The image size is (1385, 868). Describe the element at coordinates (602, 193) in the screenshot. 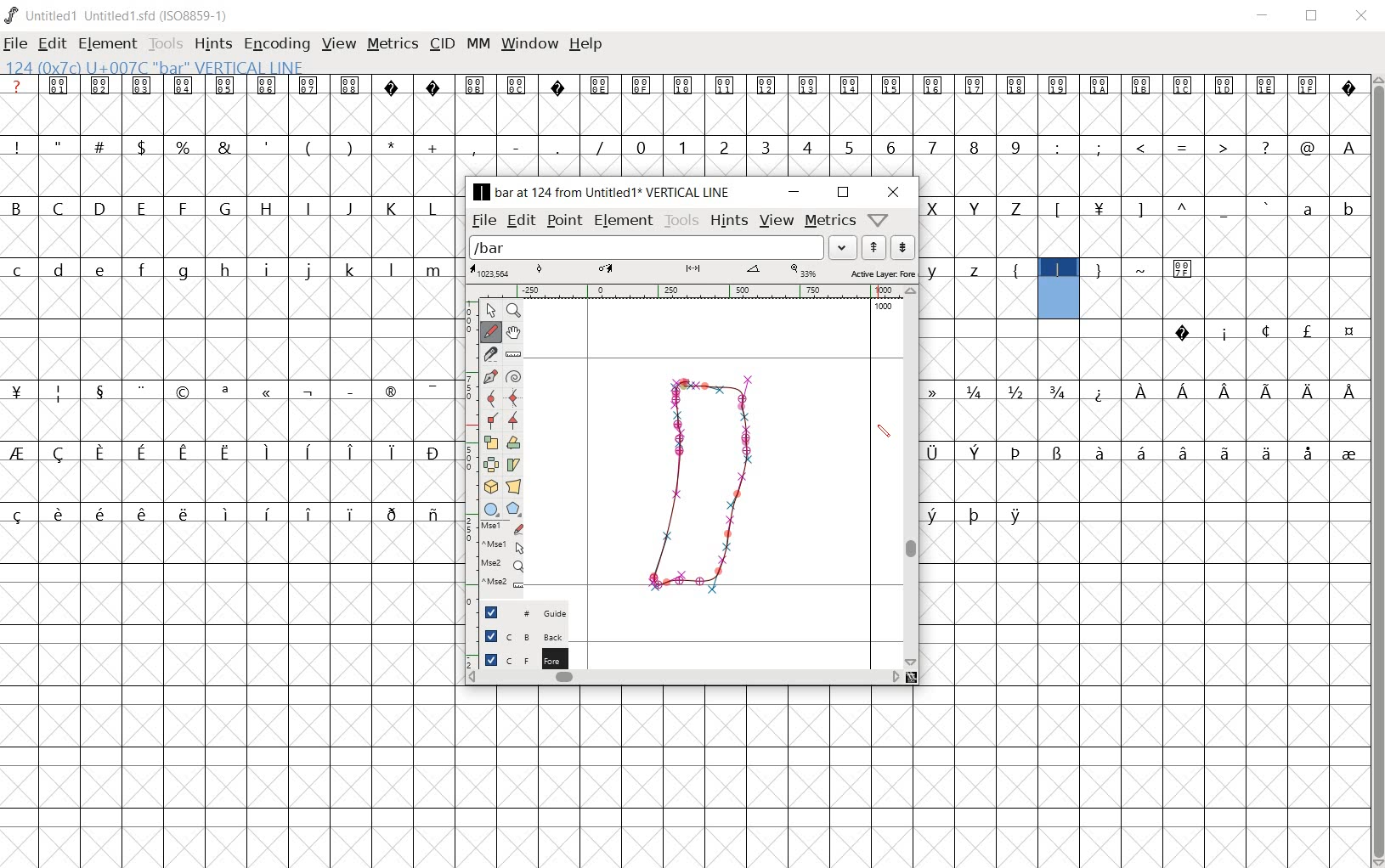

I see `BAR AT 124 FROM UNTITLED1 VERTICAL LINE` at that location.